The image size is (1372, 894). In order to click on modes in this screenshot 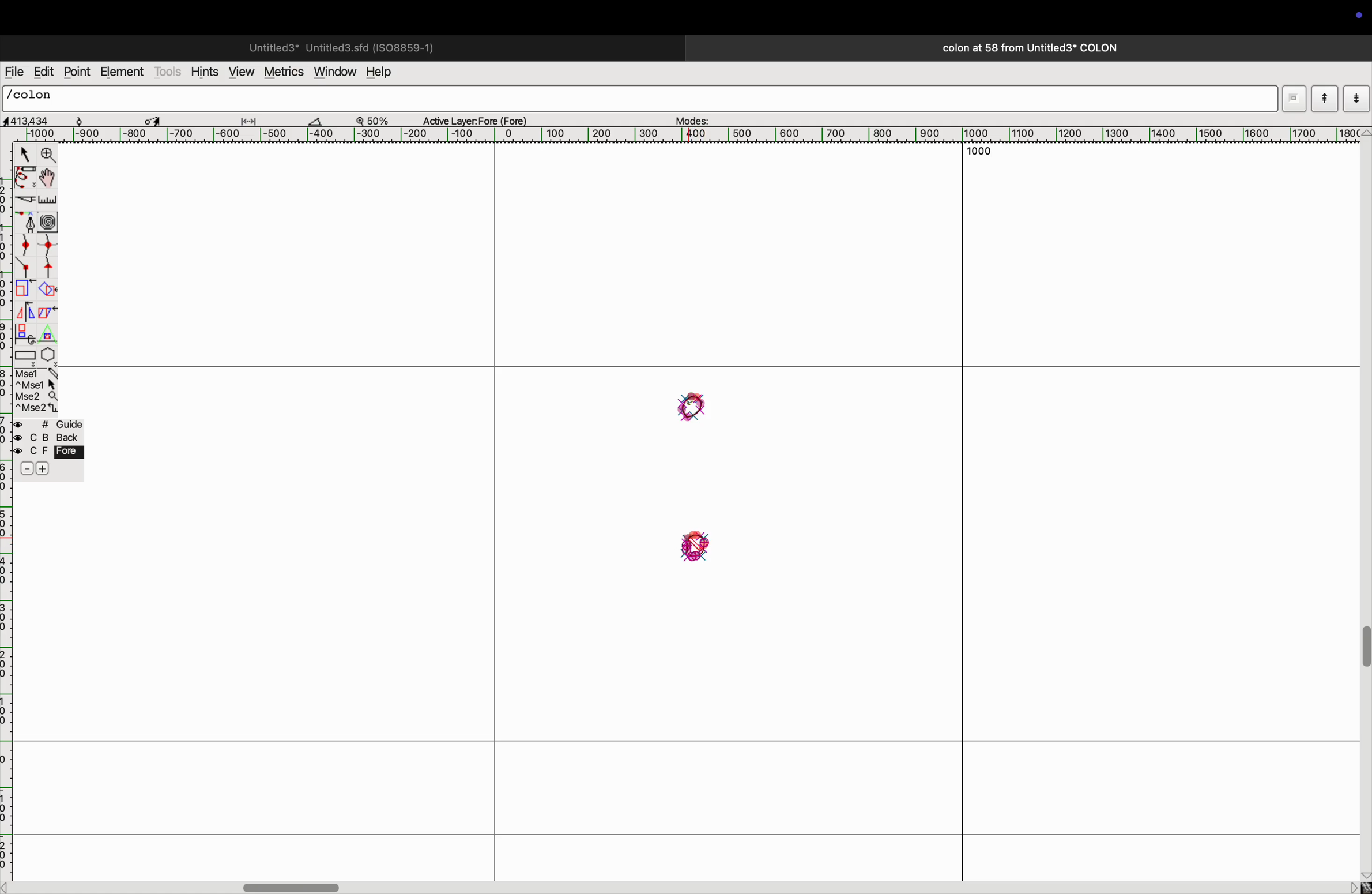, I will do `click(694, 118)`.